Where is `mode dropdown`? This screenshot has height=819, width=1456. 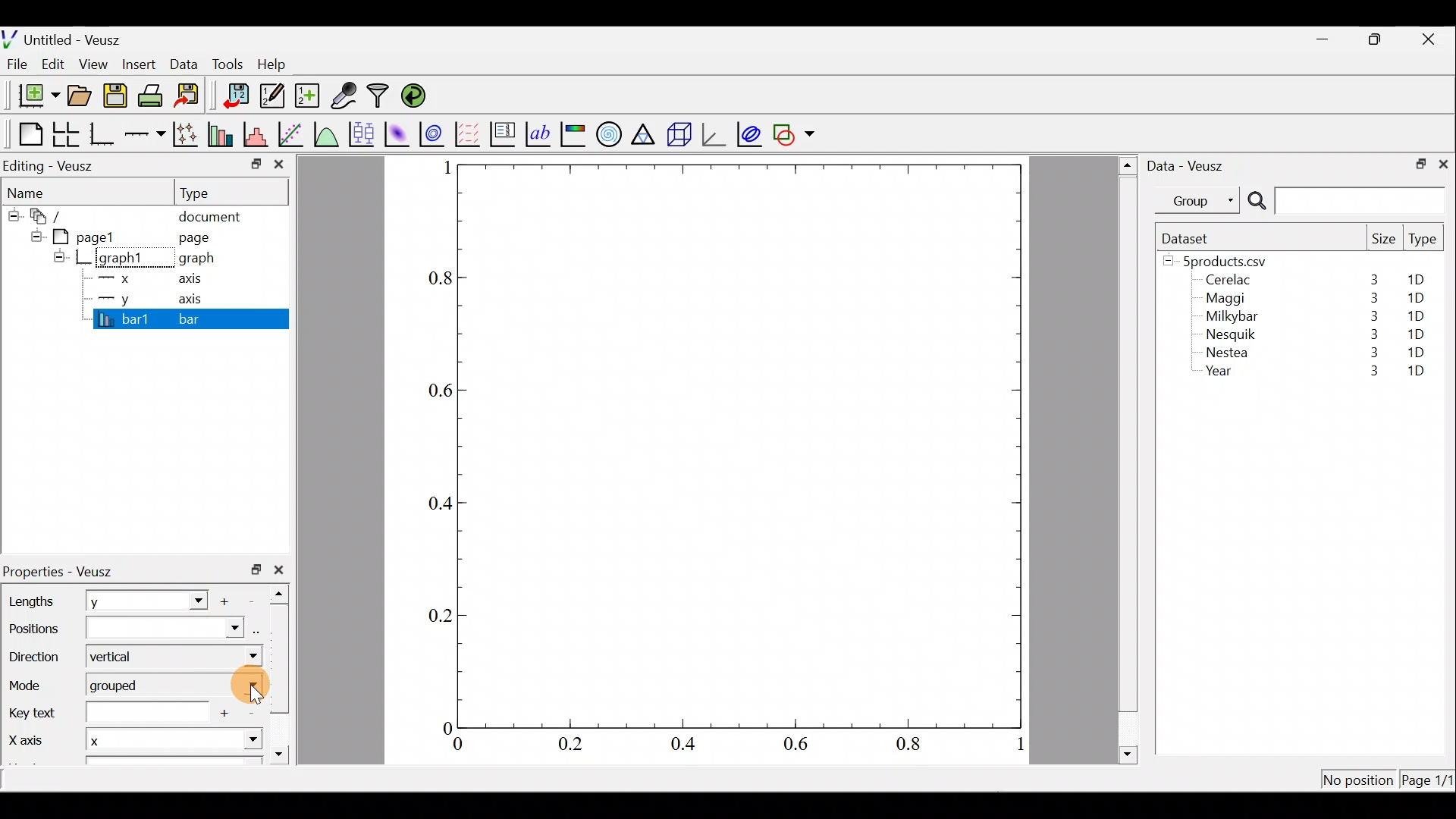
mode dropdown is located at coordinates (232, 686).